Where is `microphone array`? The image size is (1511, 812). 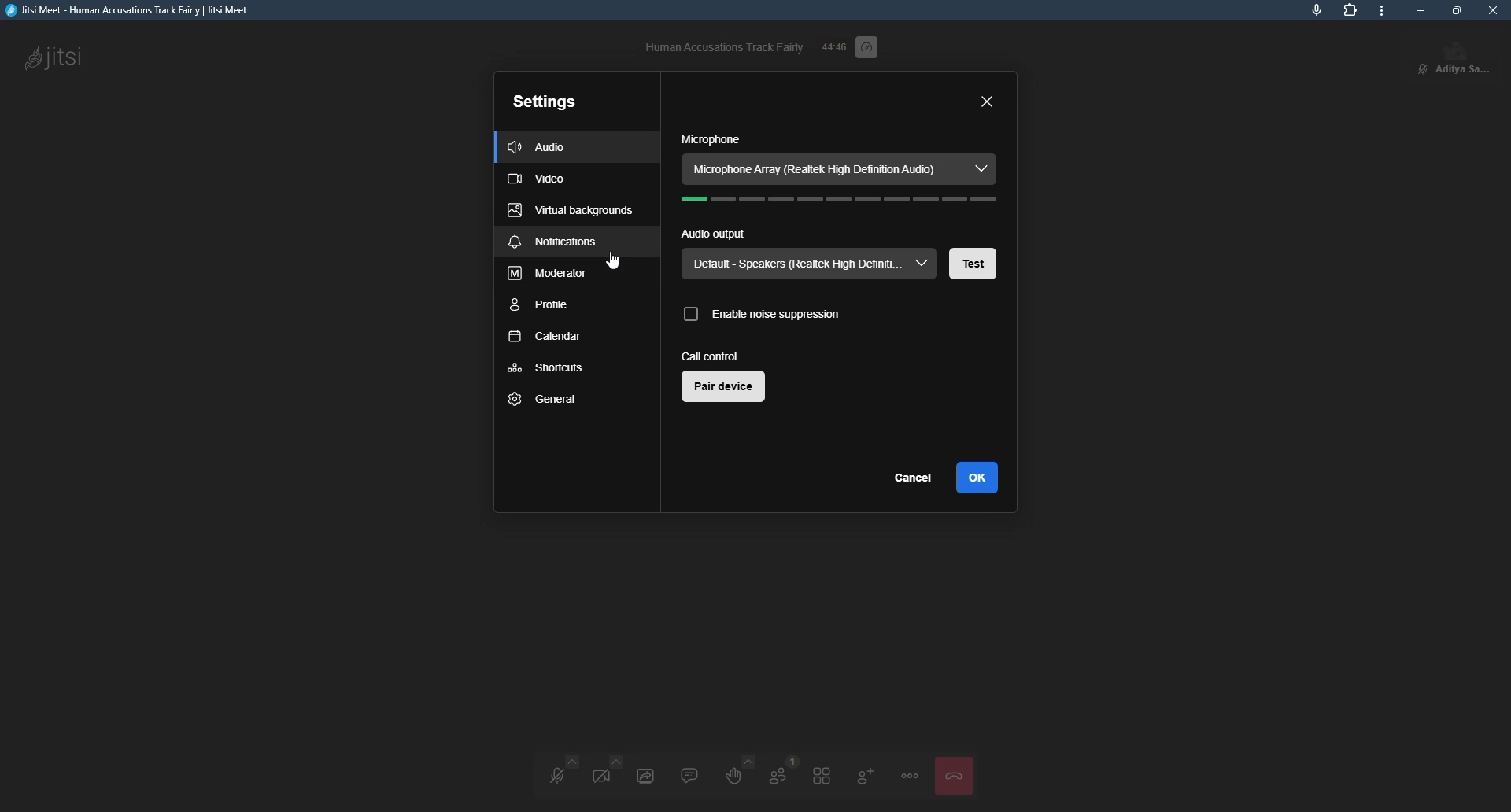 microphone array is located at coordinates (822, 168).